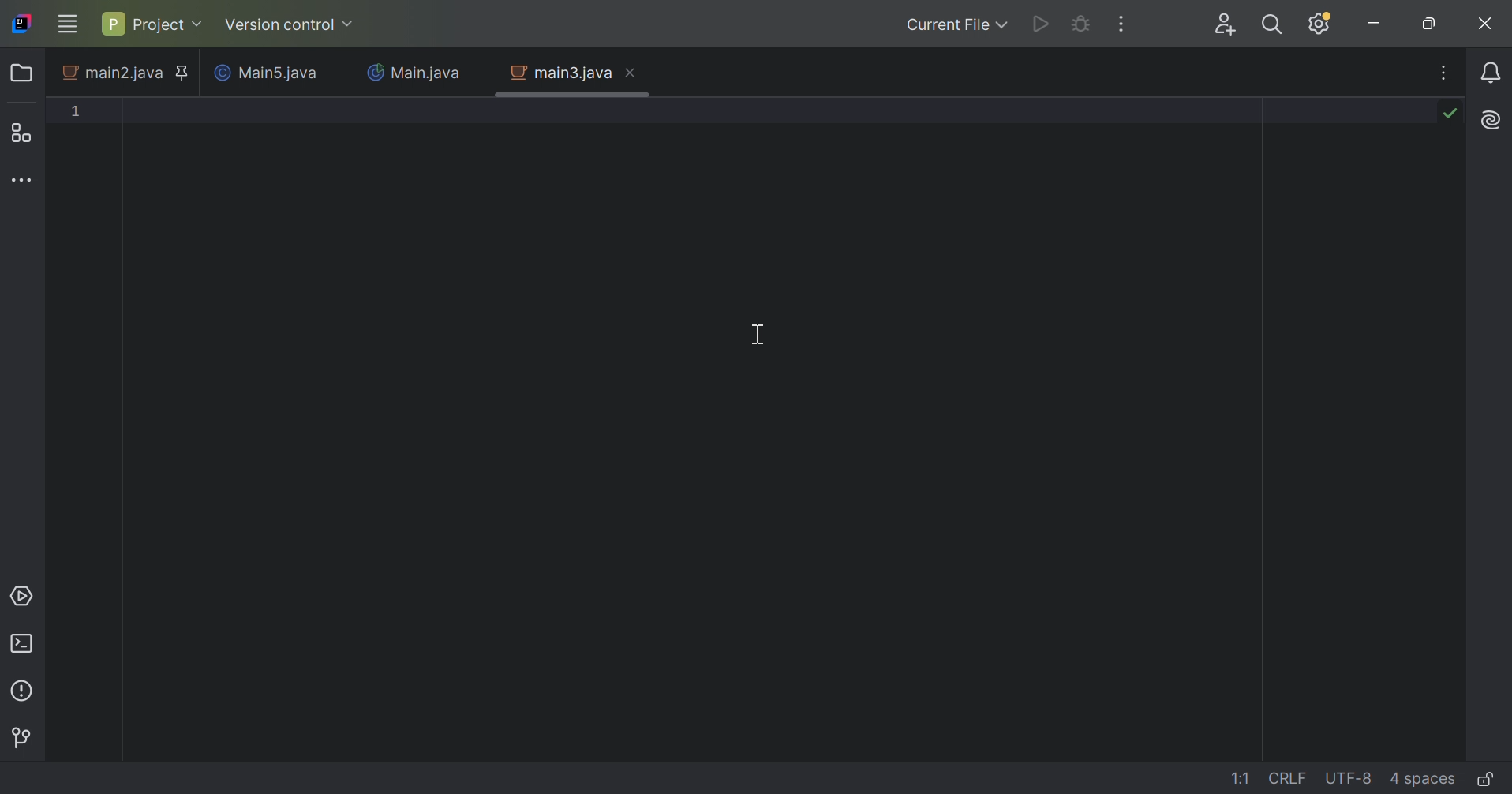 Image resolution: width=1512 pixels, height=794 pixels. Describe the element at coordinates (1486, 22) in the screenshot. I see `Close` at that location.